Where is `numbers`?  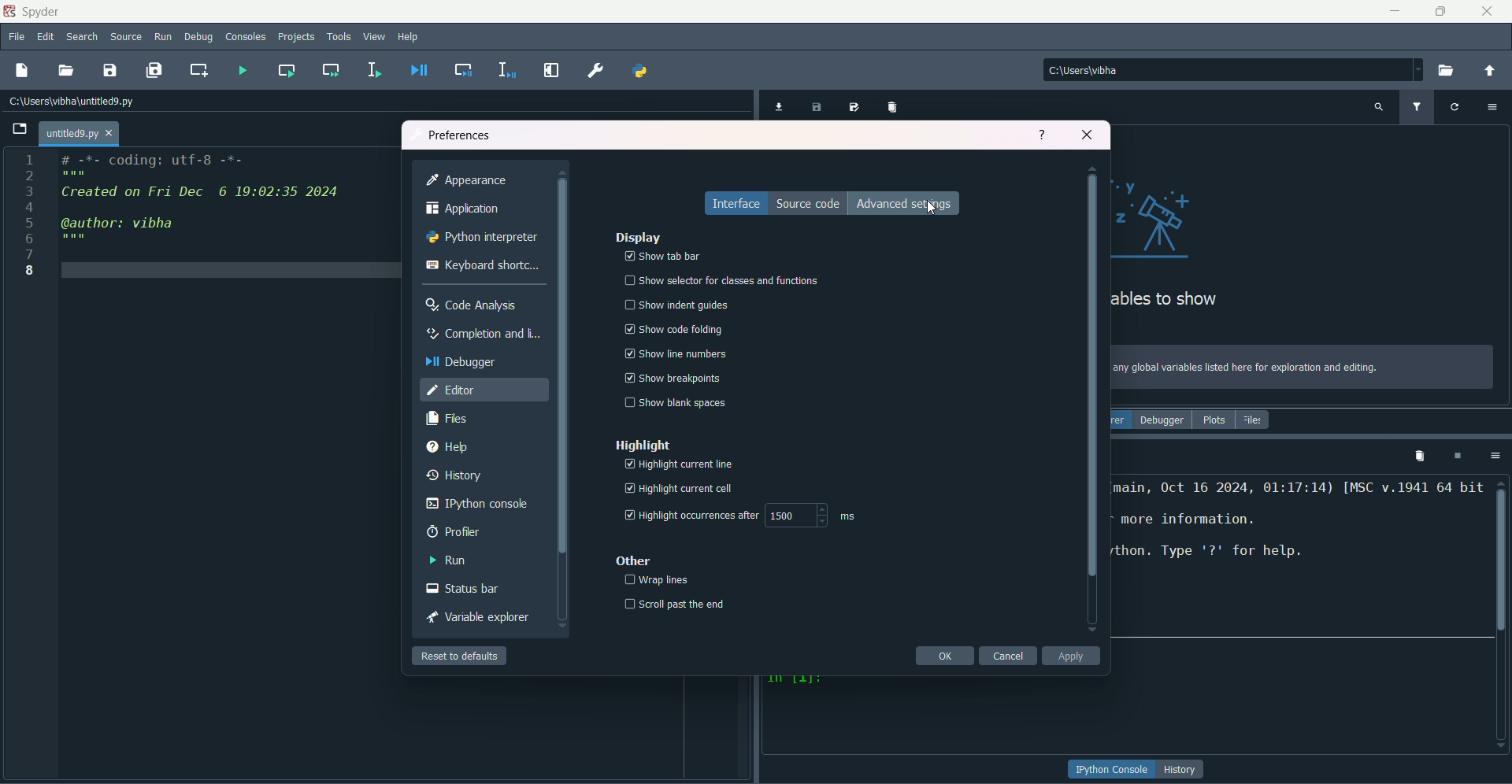
numbers is located at coordinates (795, 515).